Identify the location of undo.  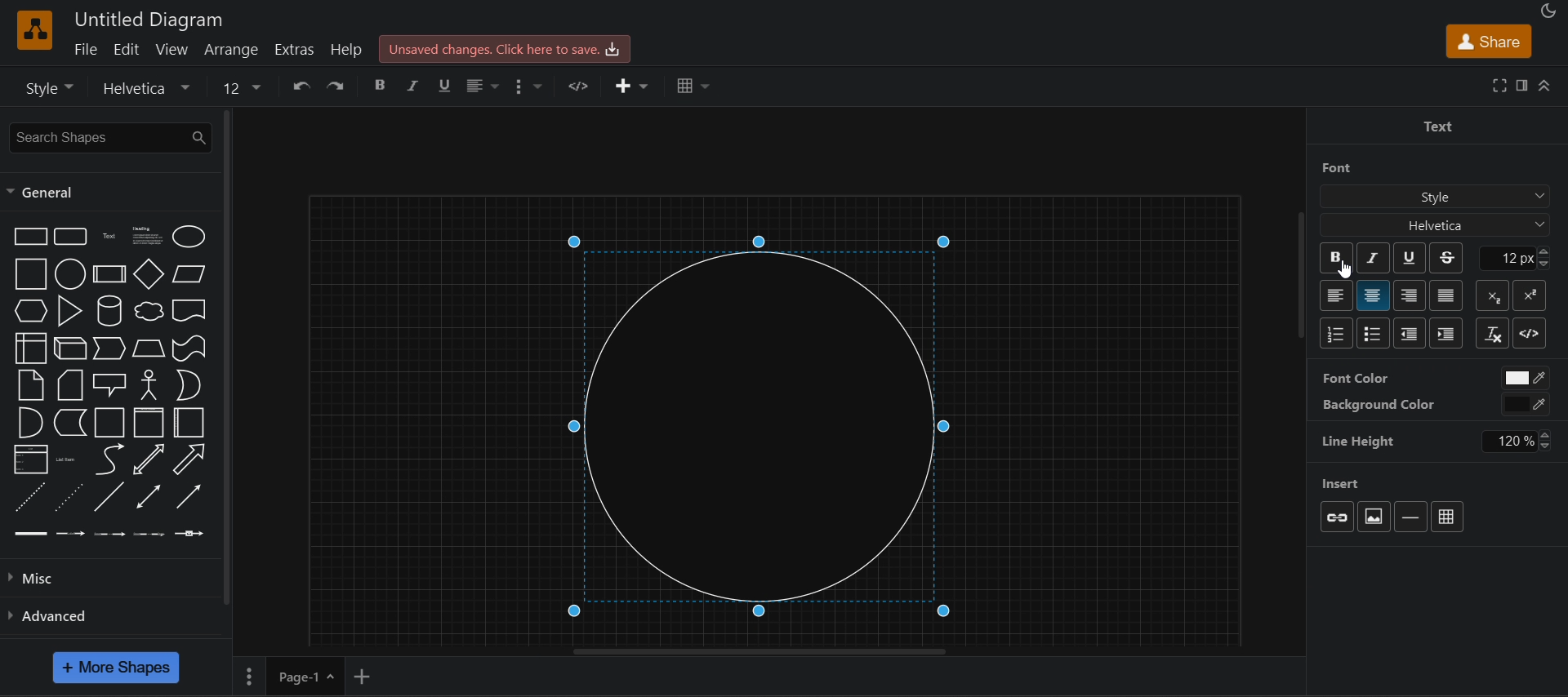
(301, 87).